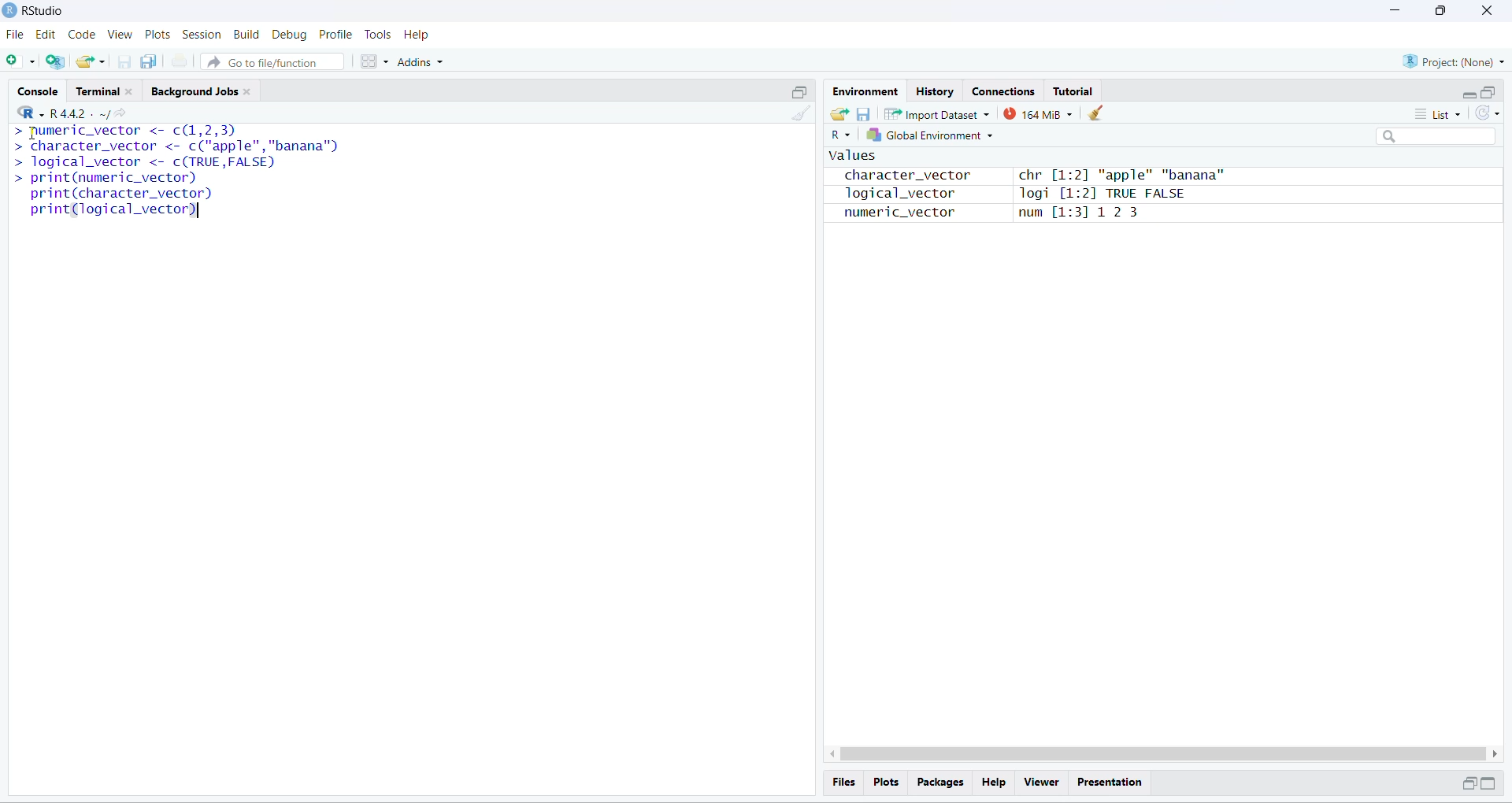 This screenshot has width=1512, height=803. I want to click on Tools, so click(376, 35).